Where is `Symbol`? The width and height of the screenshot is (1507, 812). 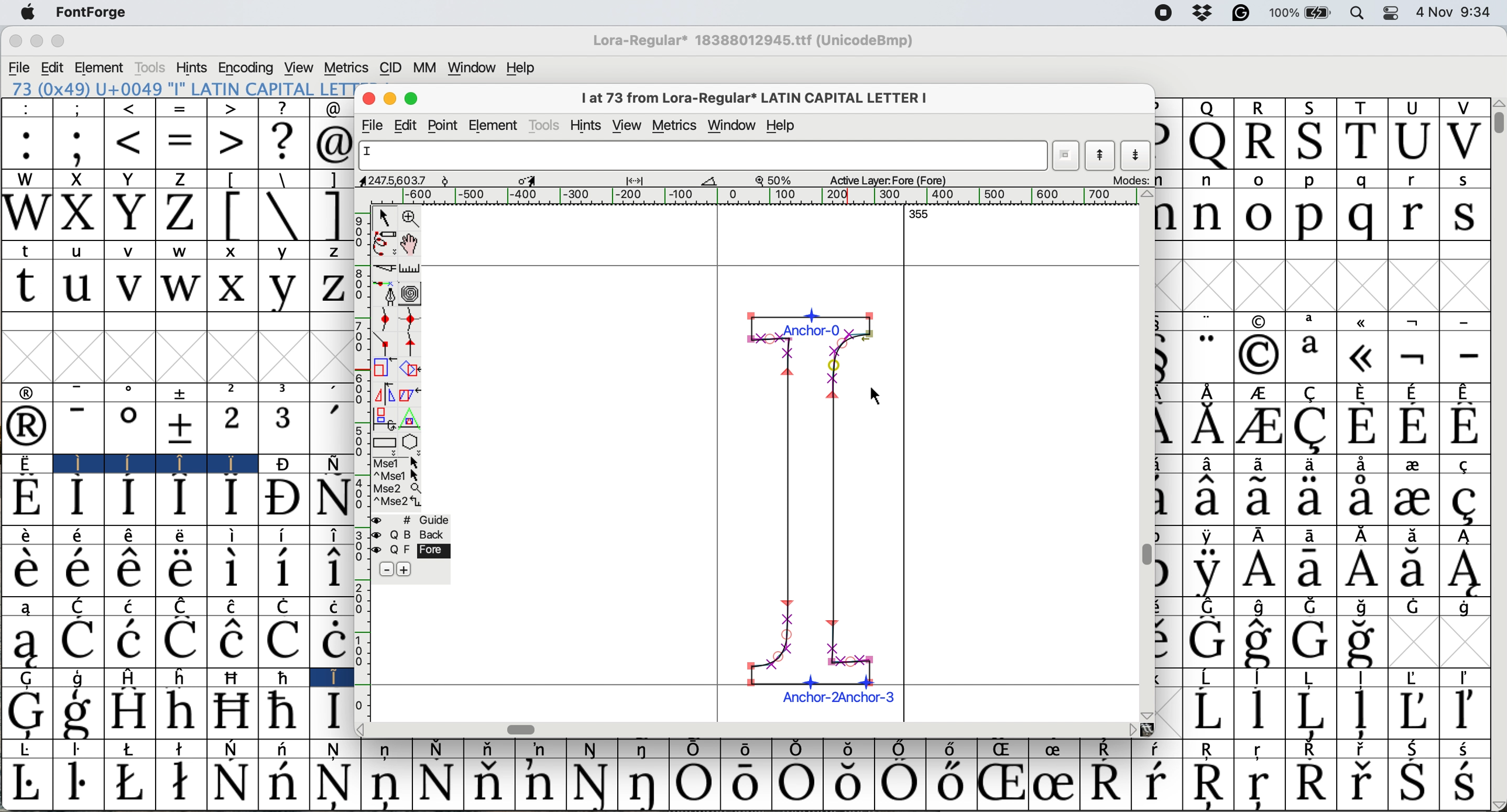
Symbol is located at coordinates (1206, 711).